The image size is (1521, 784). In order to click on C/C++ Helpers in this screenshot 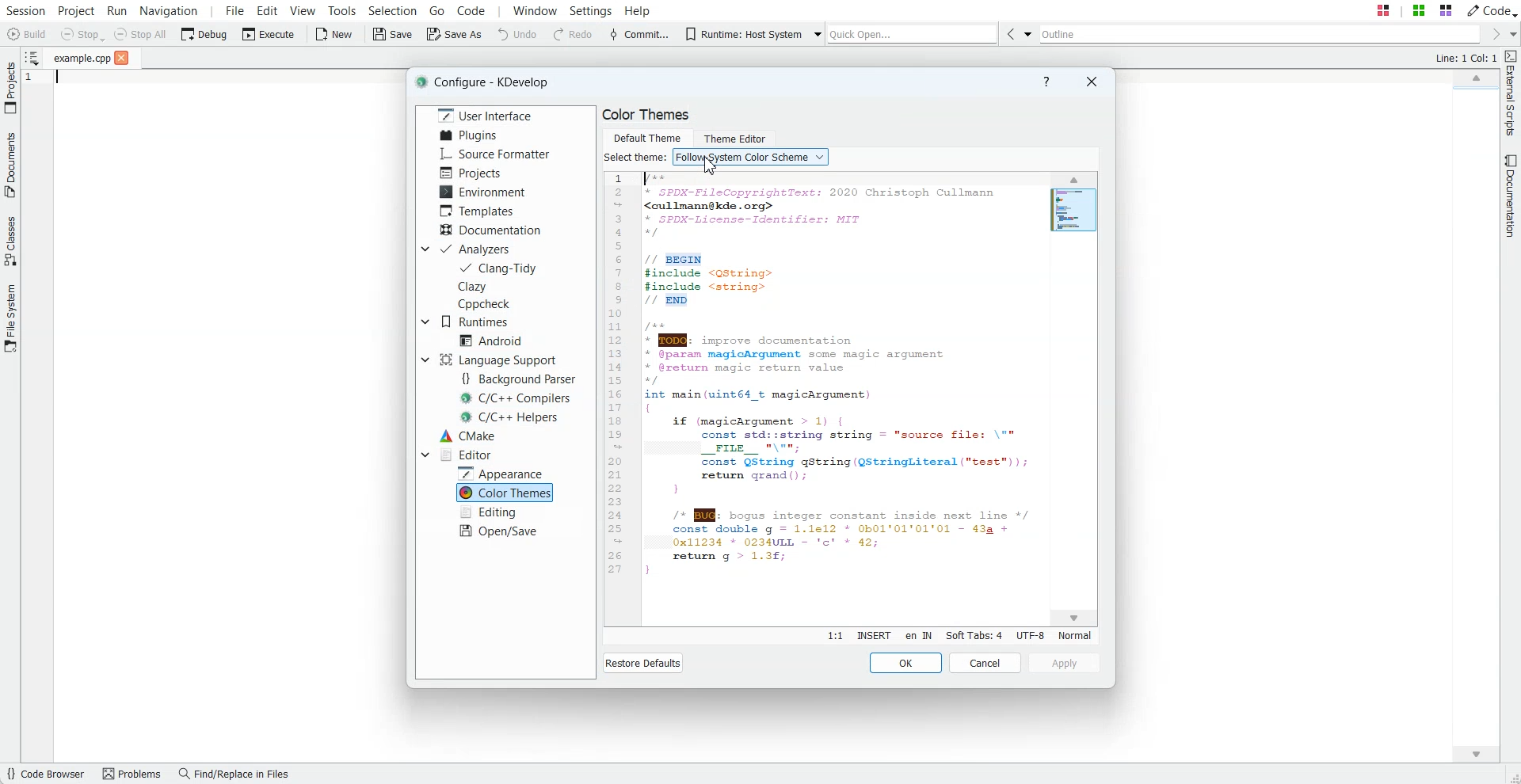, I will do `click(511, 417)`.